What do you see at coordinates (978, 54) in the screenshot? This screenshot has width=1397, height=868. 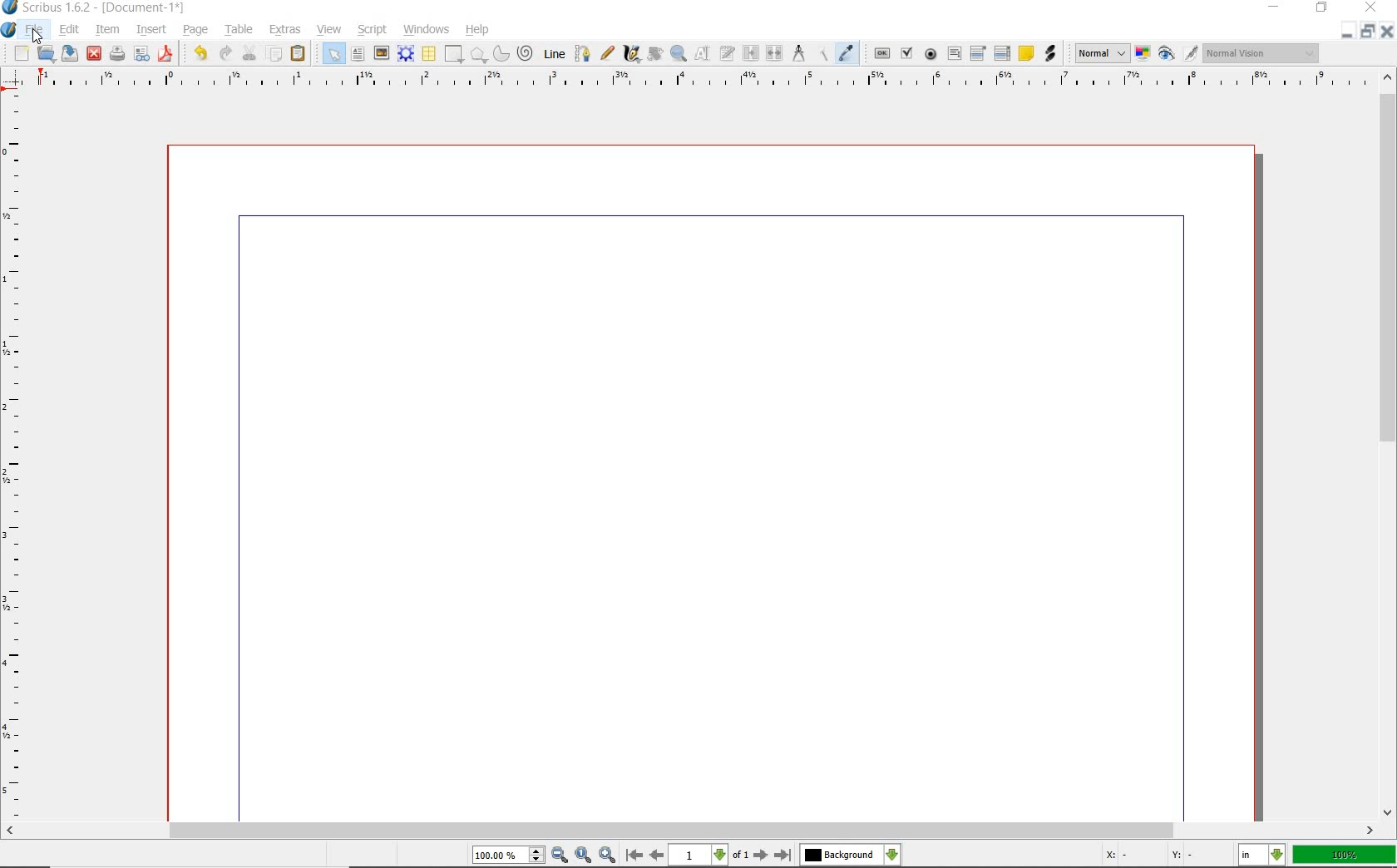 I see `pdf combo box` at bounding box center [978, 54].